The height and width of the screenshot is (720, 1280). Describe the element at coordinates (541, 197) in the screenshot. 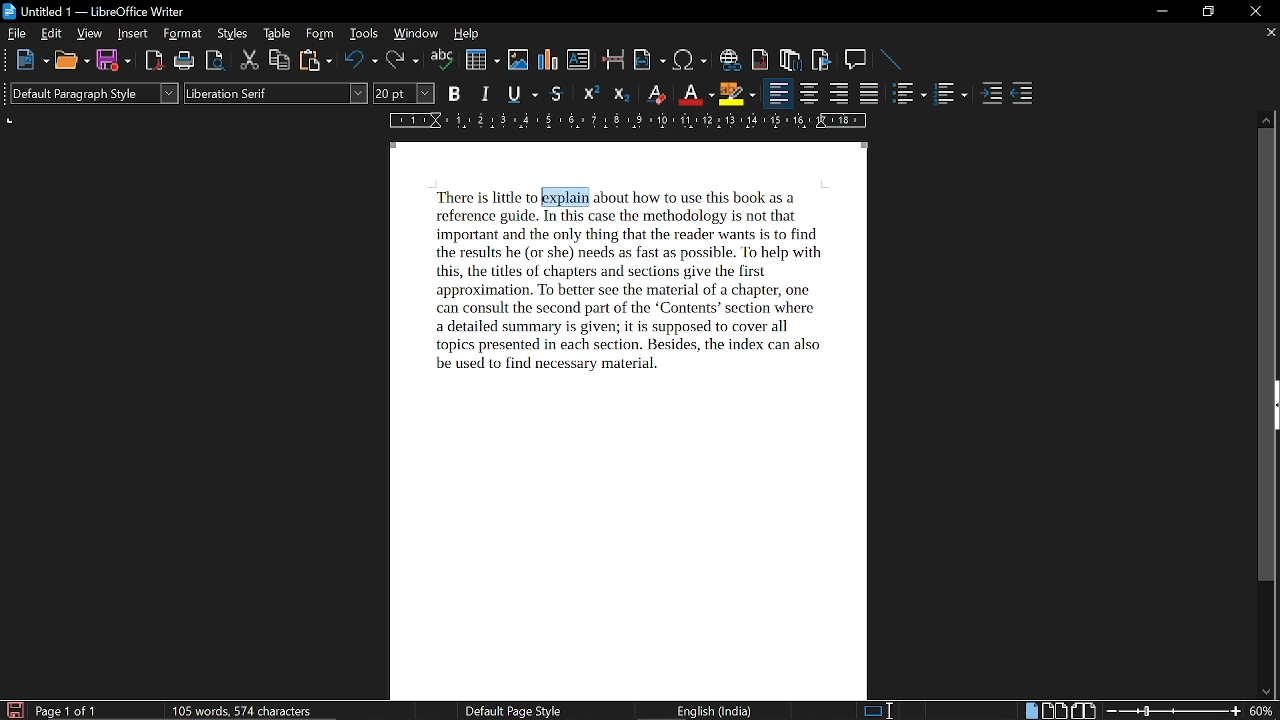

I see `cursor` at that location.